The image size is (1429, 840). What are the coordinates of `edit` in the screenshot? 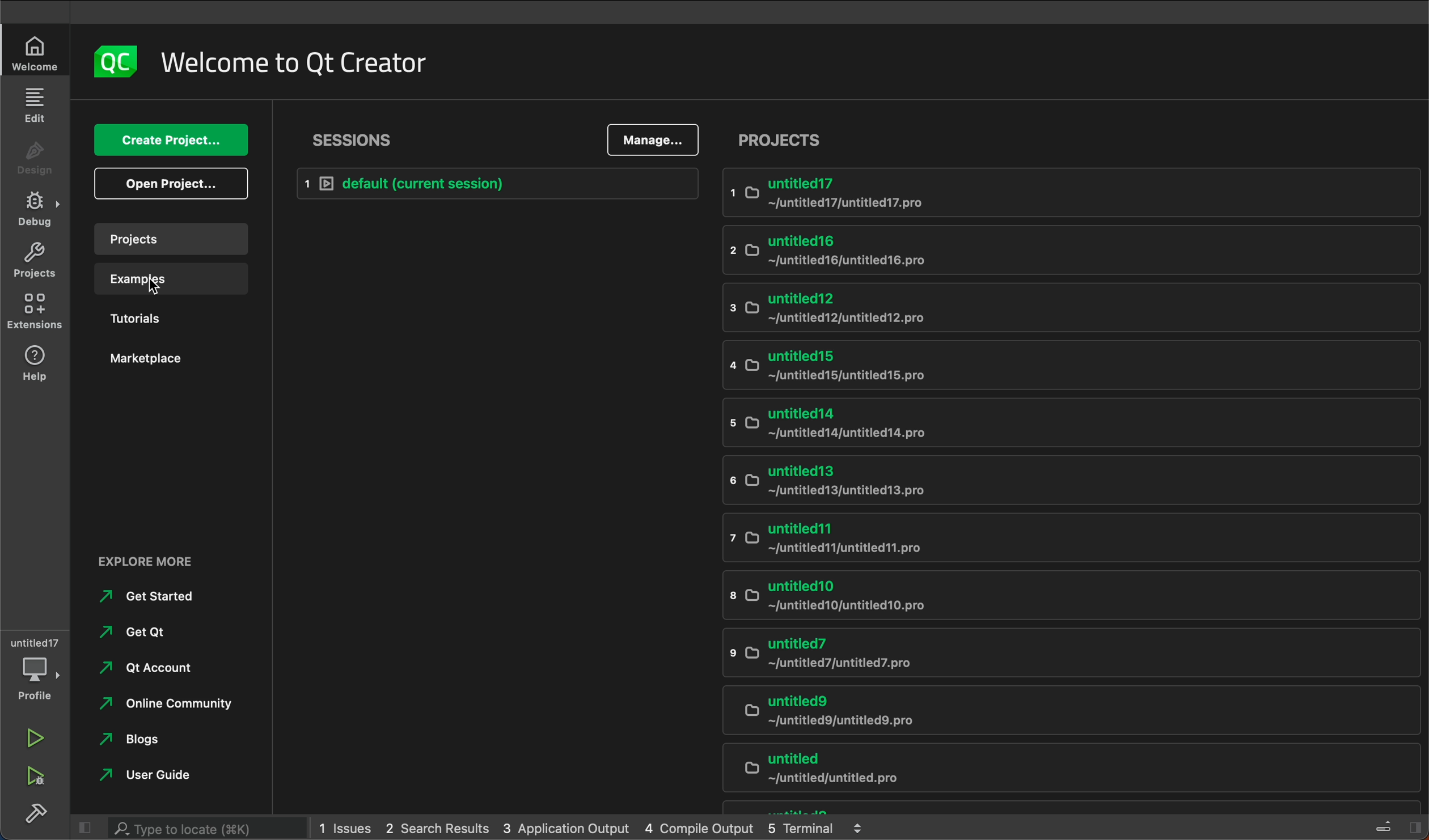 It's located at (35, 104).